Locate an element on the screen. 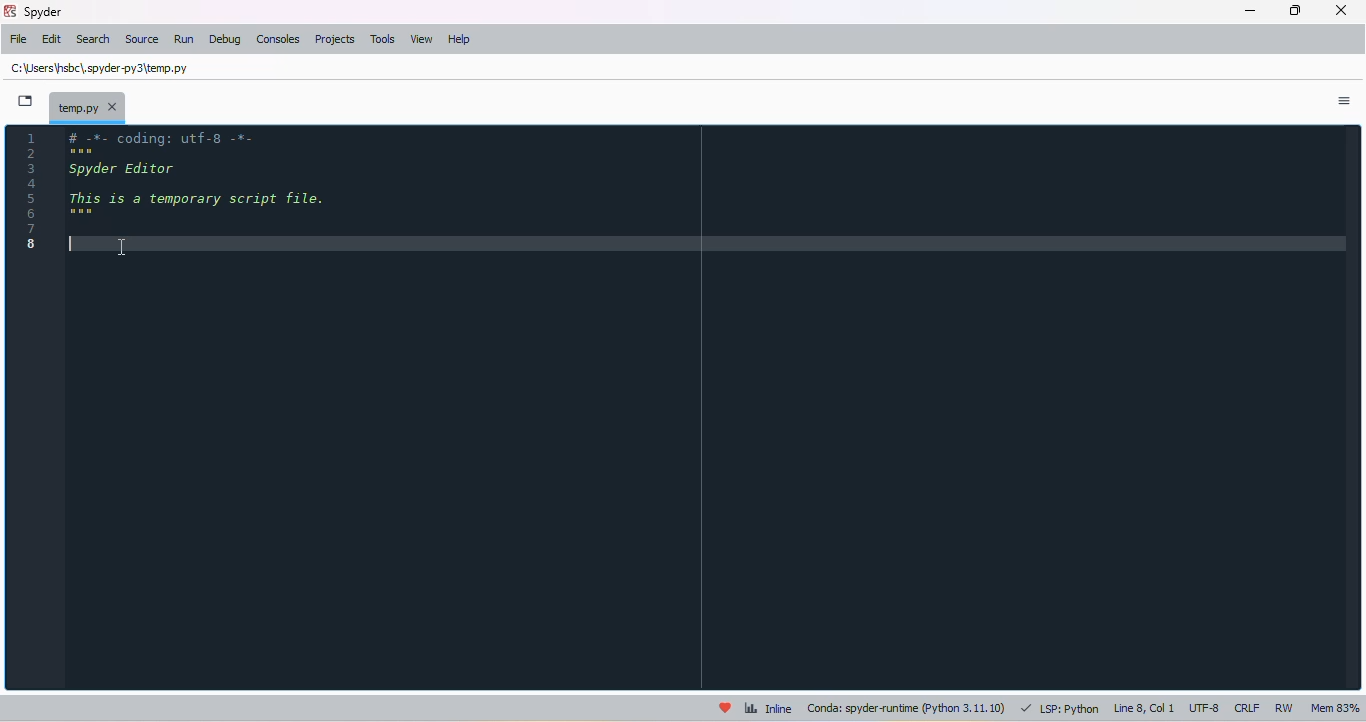 The height and width of the screenshot is (722, 1366). text editor is located at coordinates (72, 245).